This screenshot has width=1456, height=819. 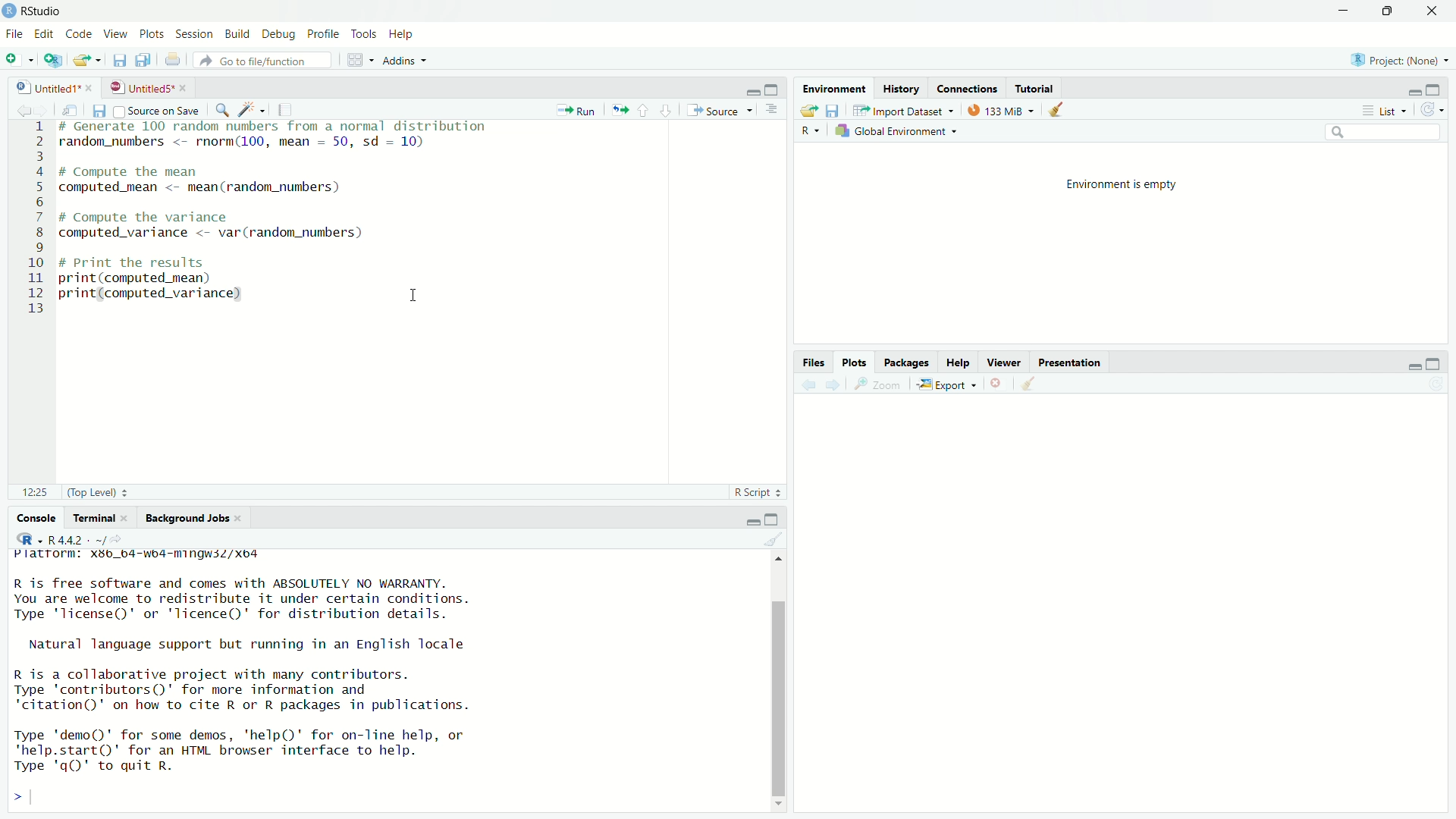 I want to click on print the current file, so click(x=174, y=61).